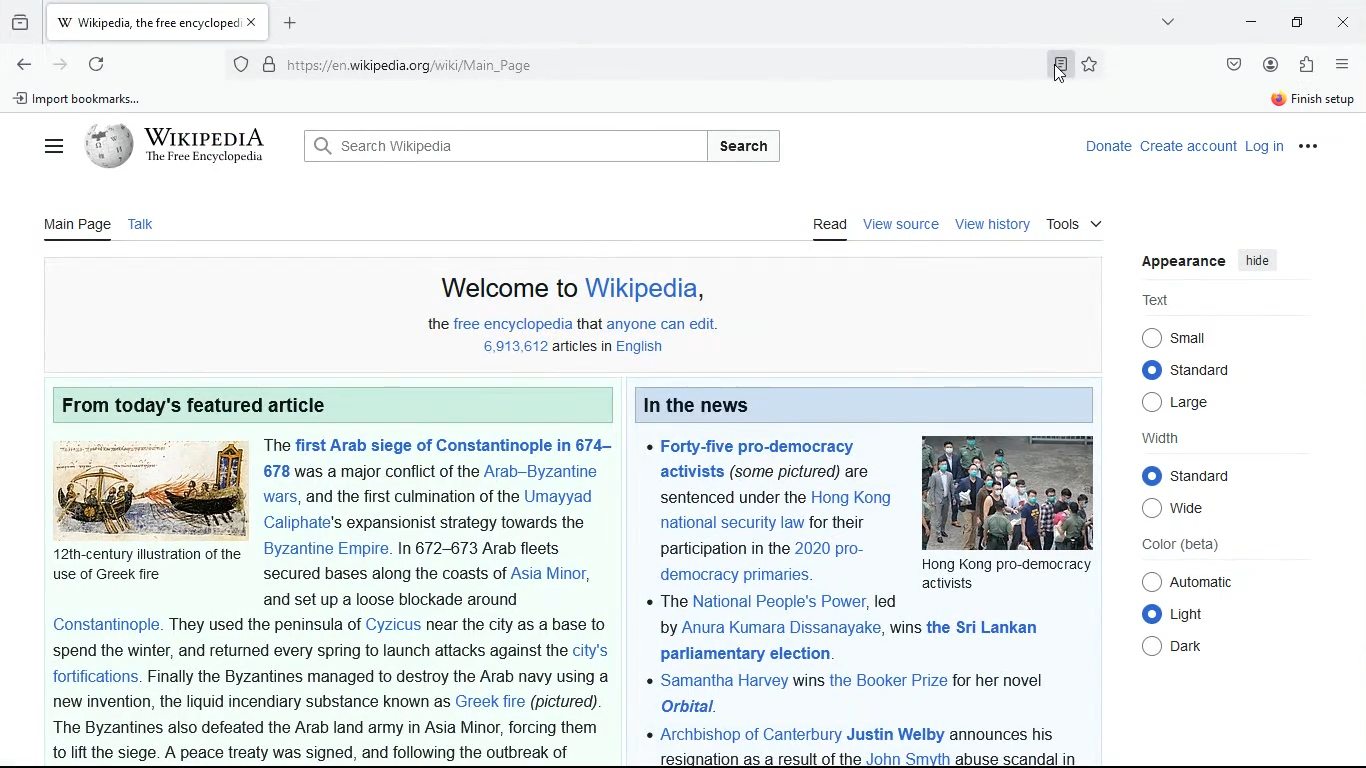 This screenshot has height=768, width=1366. Describe the element at coordinates (294, 21) in the screenshot. I see `add new tab` at that location.